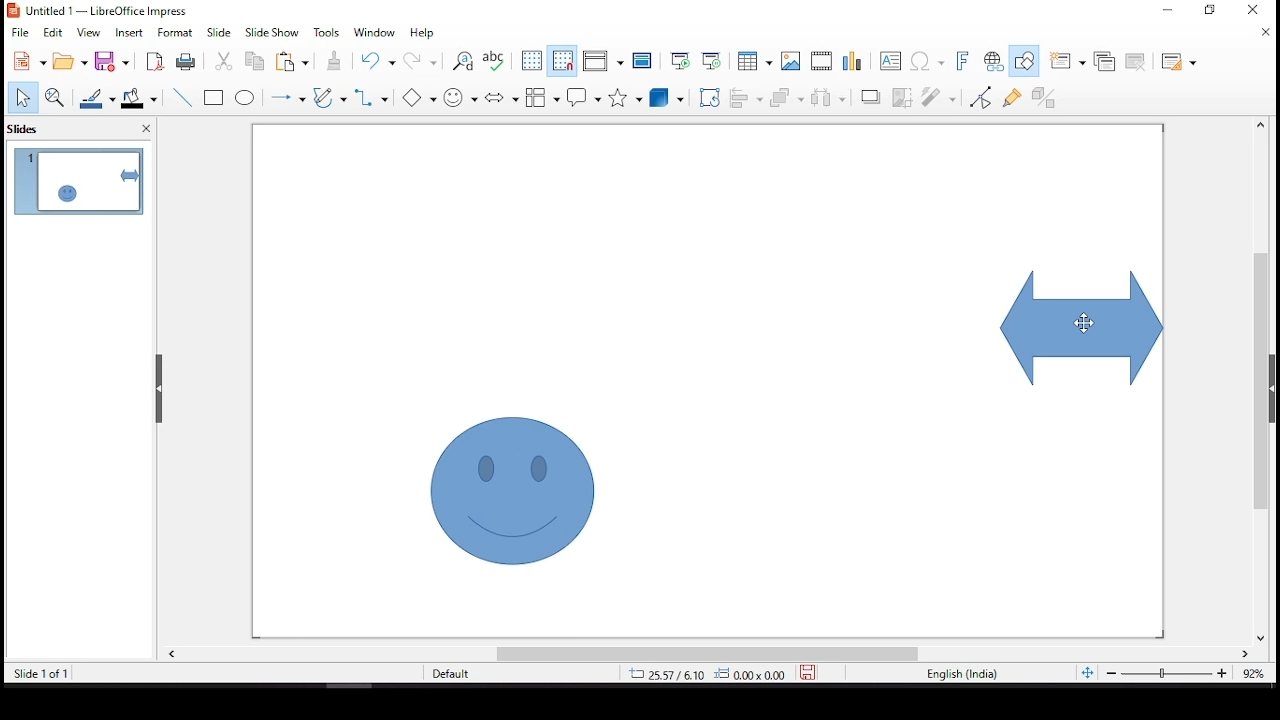 The image size is (1280, 720). I want to click on slide, so click(219, 32).